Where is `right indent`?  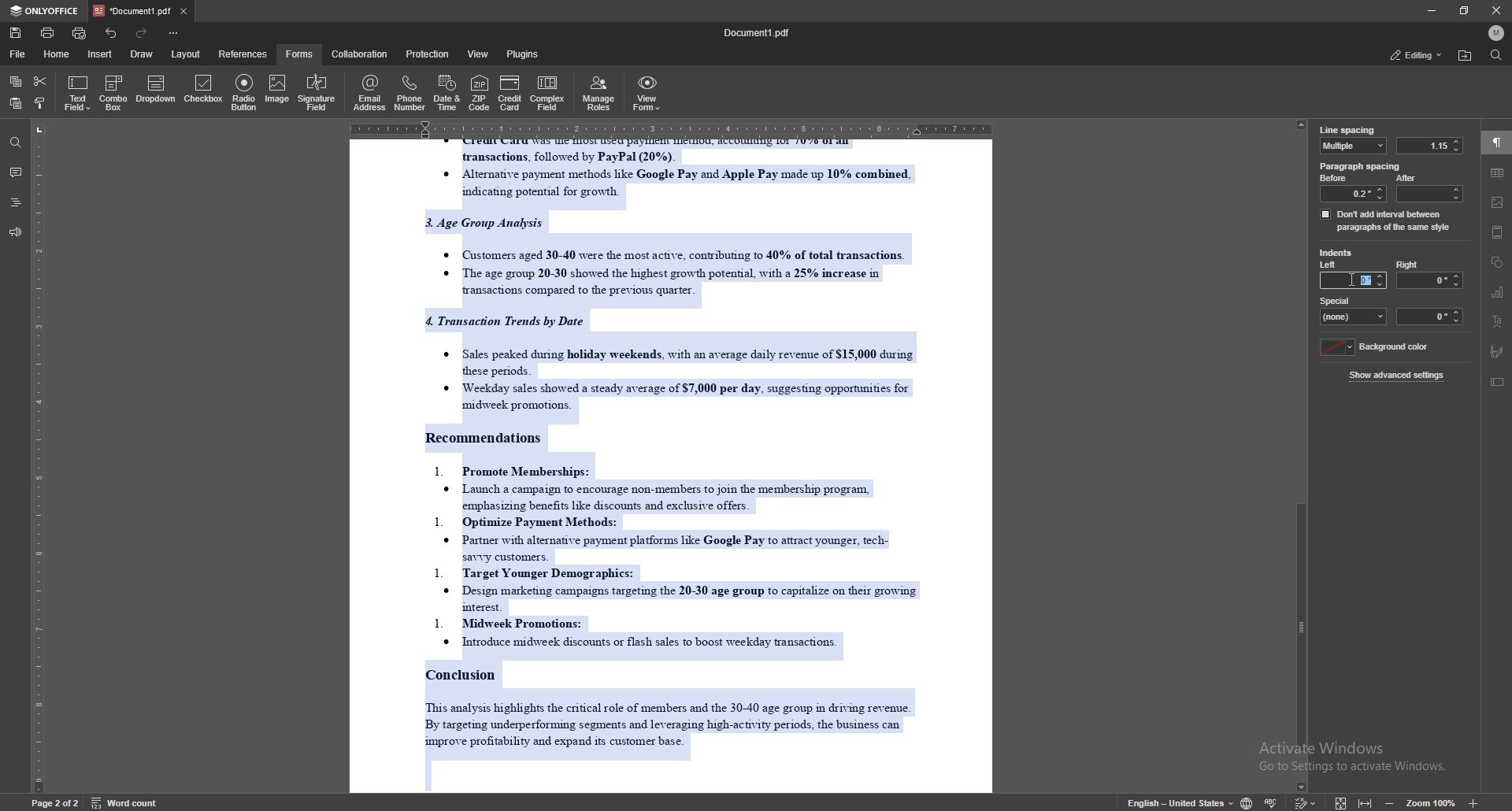
right indent is located at coordinates (1429, 274).